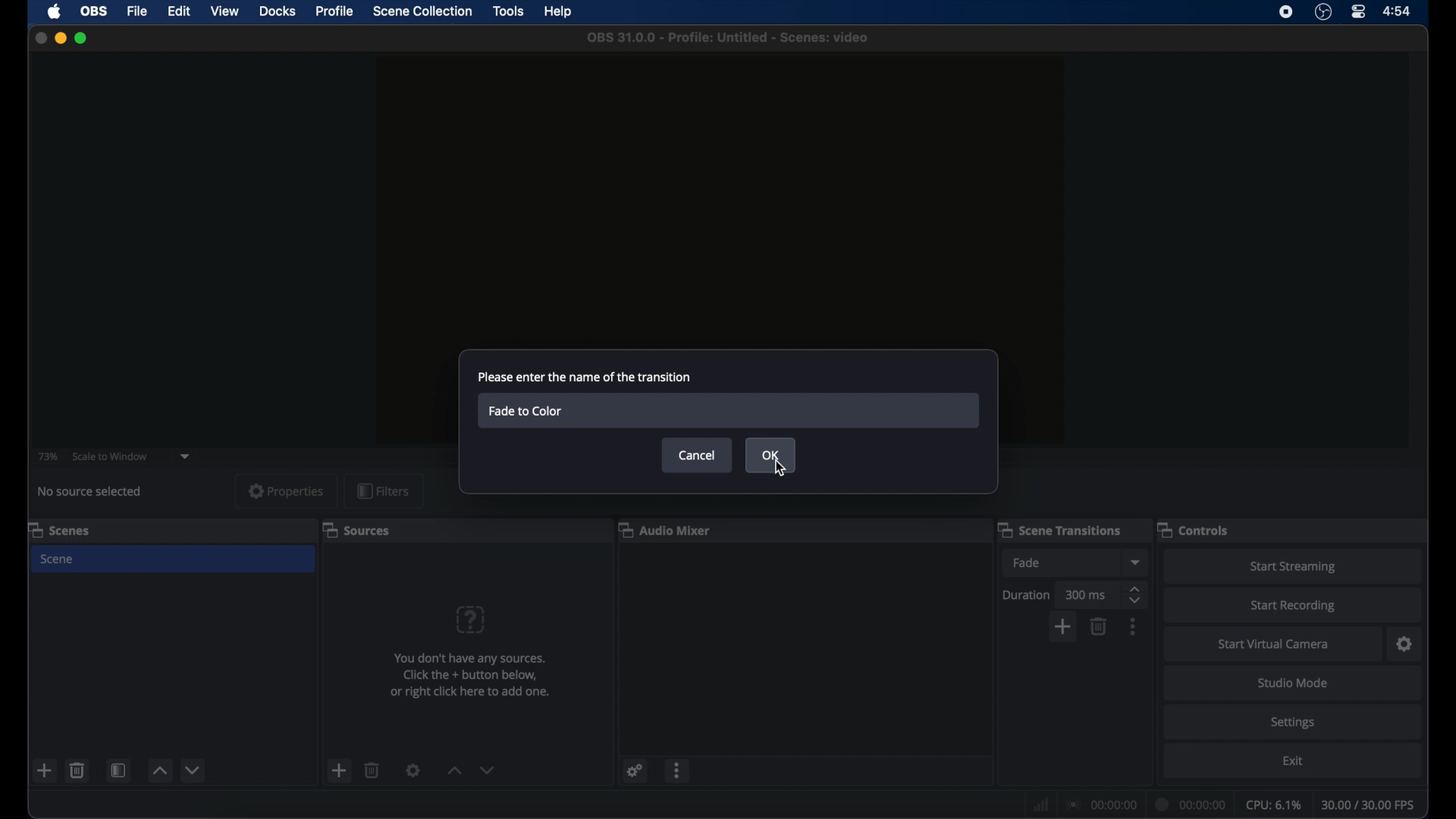  I want to click on studio mode, so click(1293, 682).